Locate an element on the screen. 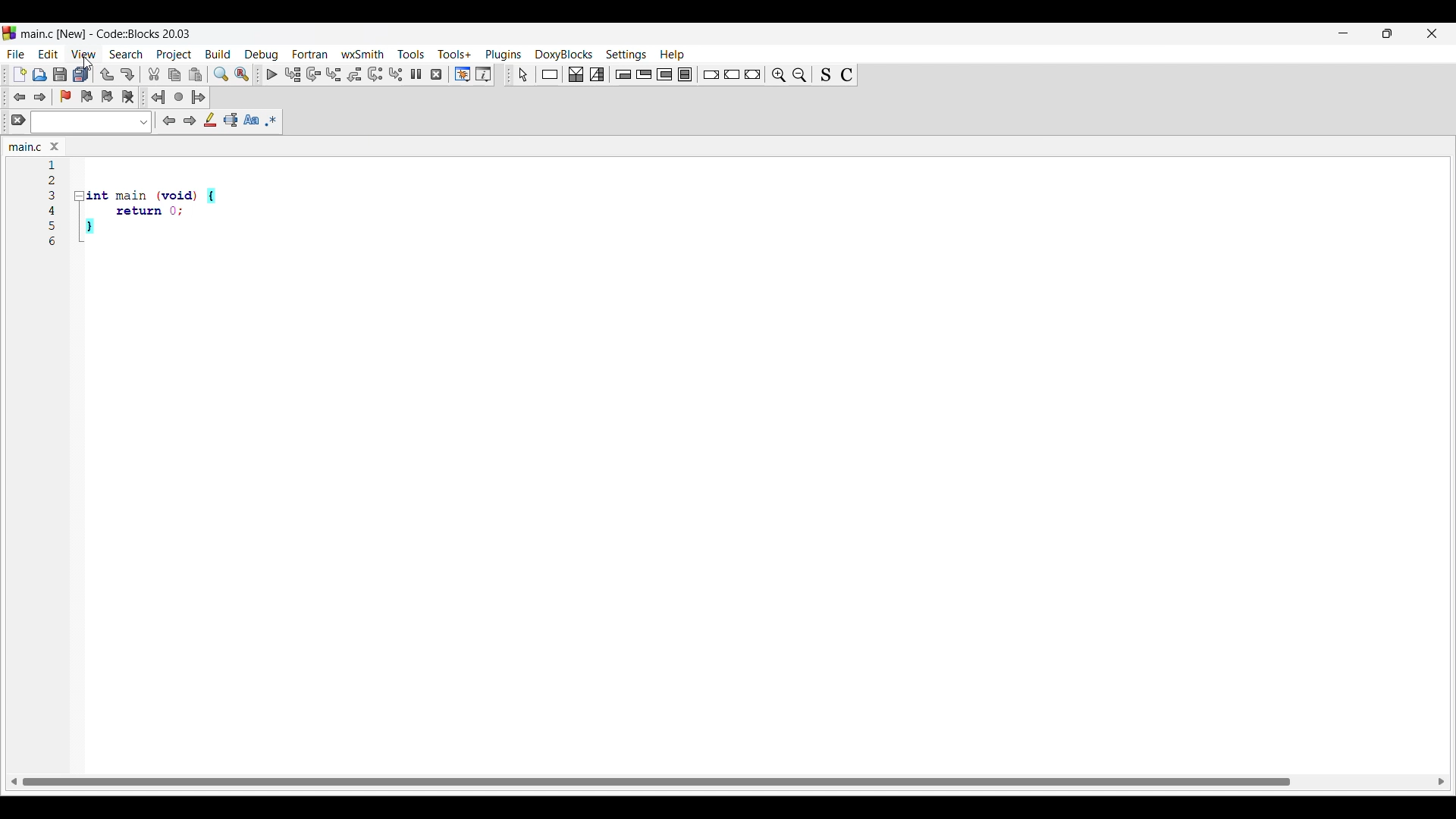 This screenshot has height=819, width=1456. Couting loop is located at coordinates (664, 74).